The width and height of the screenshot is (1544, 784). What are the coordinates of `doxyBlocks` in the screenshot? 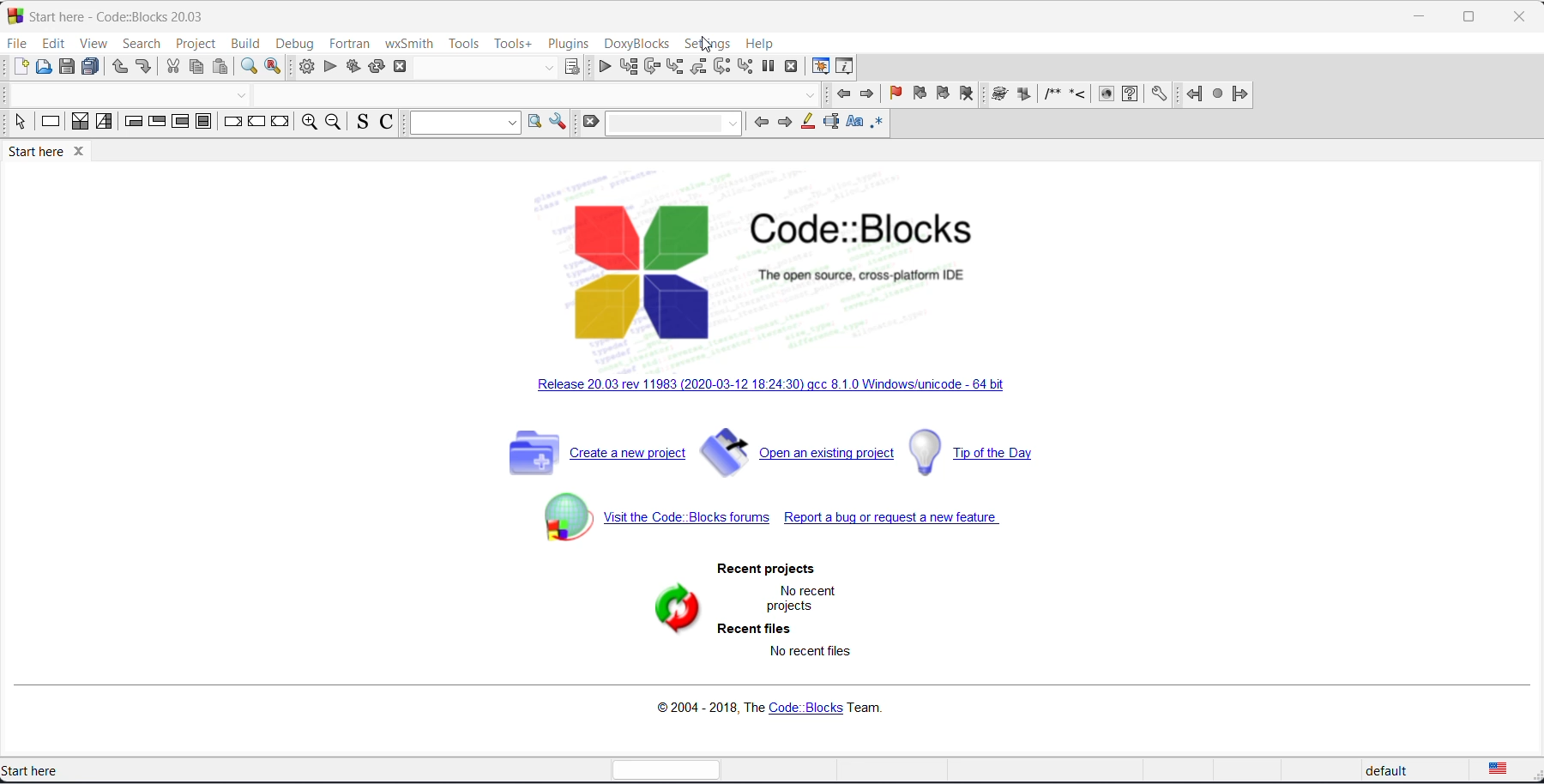 It's located at (636, 45).